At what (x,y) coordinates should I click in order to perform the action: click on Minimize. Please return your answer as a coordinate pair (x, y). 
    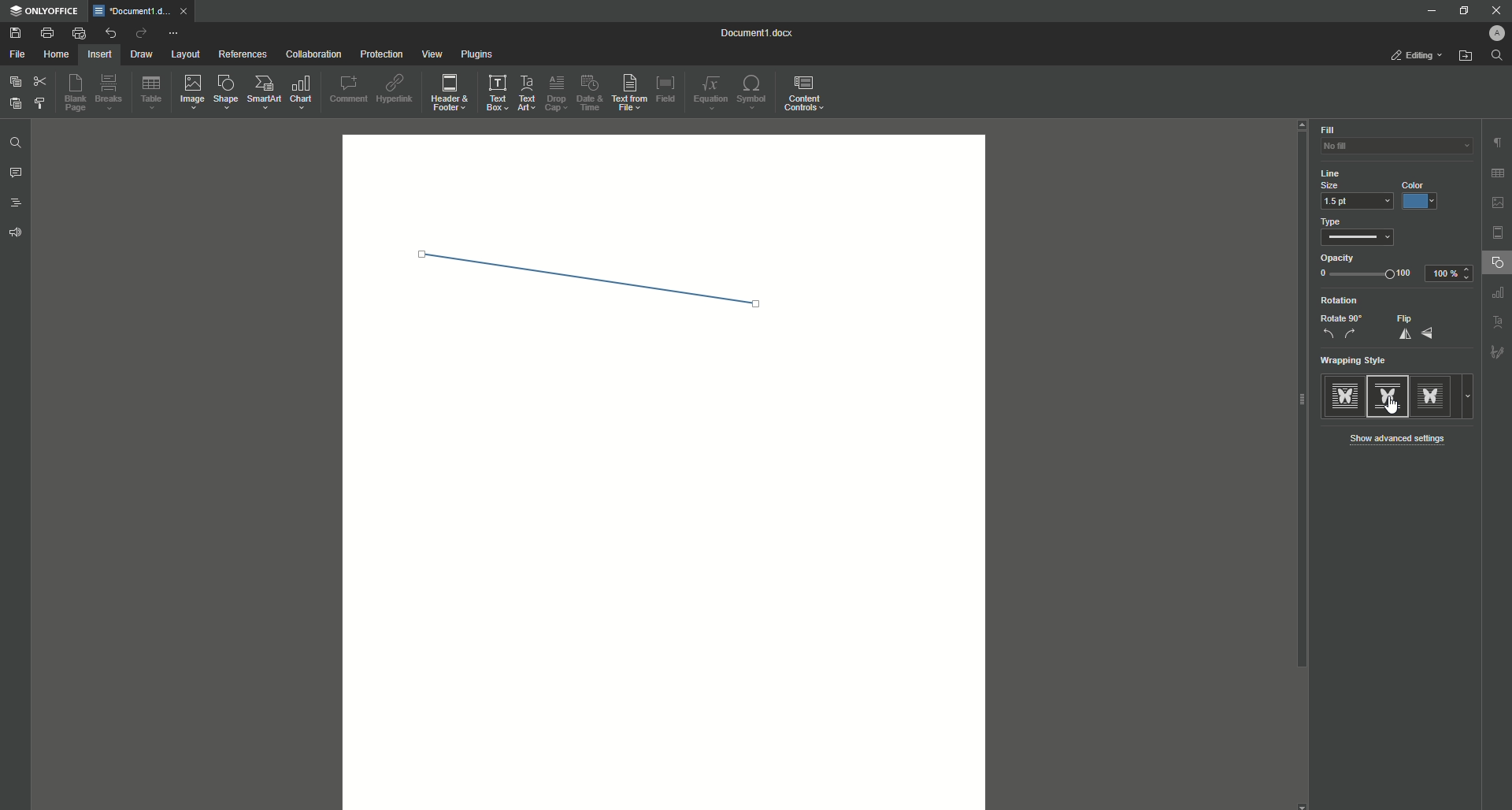
    Looking at the image, I should click on (1427, 10).